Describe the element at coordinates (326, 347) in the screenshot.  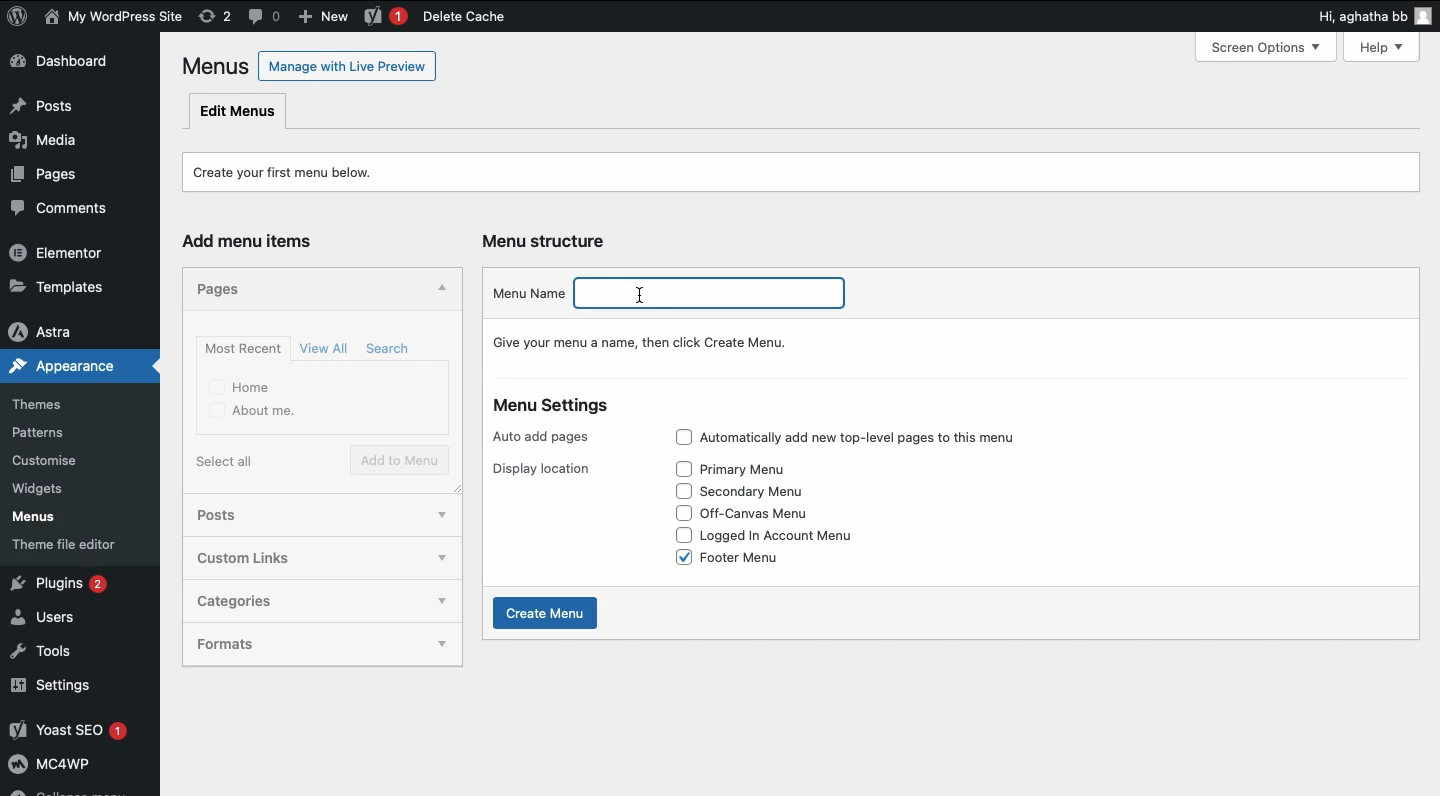
I see `View all` at that location.